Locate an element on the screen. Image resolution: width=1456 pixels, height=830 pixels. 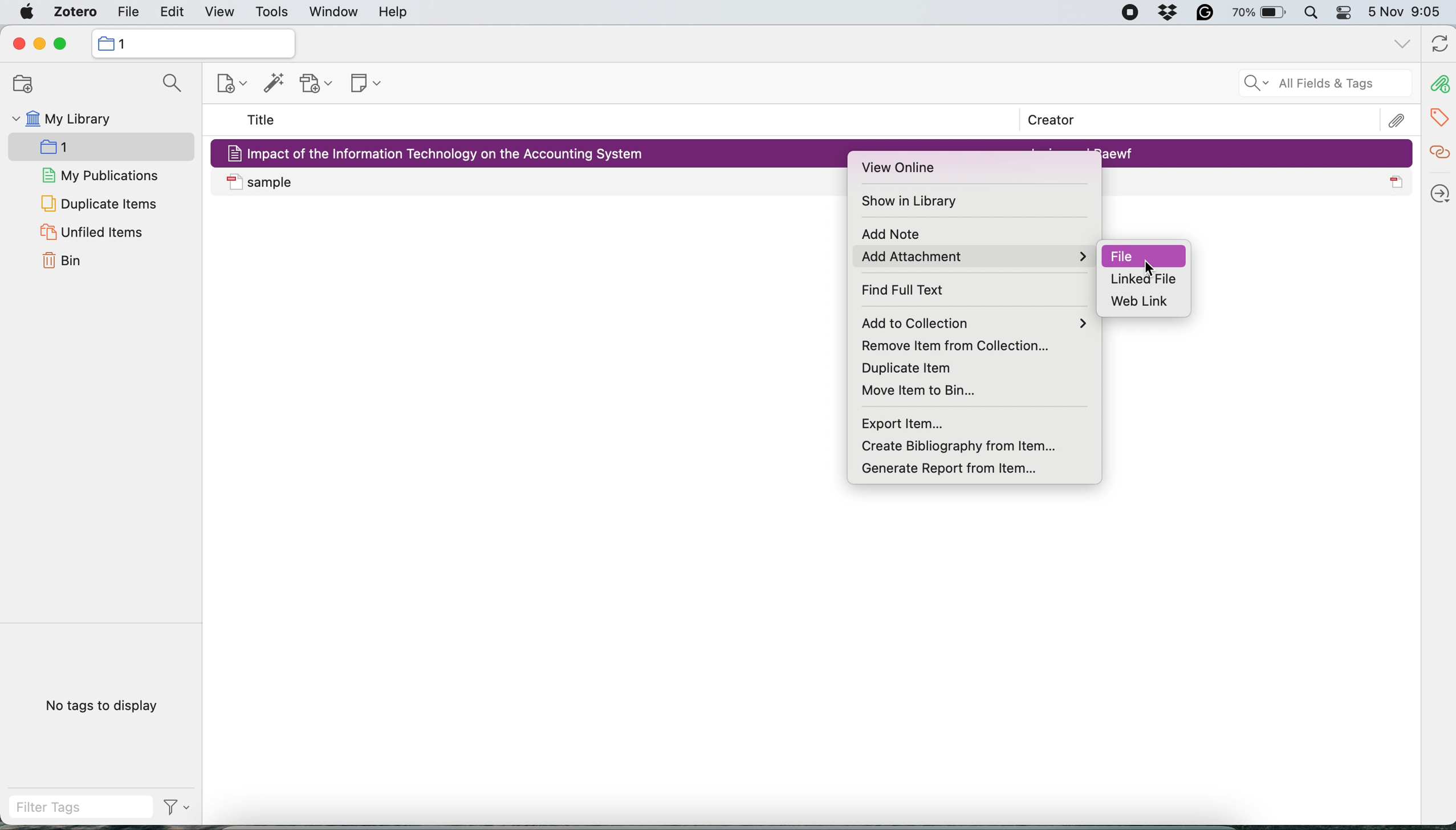
sample is located at coordinates (1258, 182).